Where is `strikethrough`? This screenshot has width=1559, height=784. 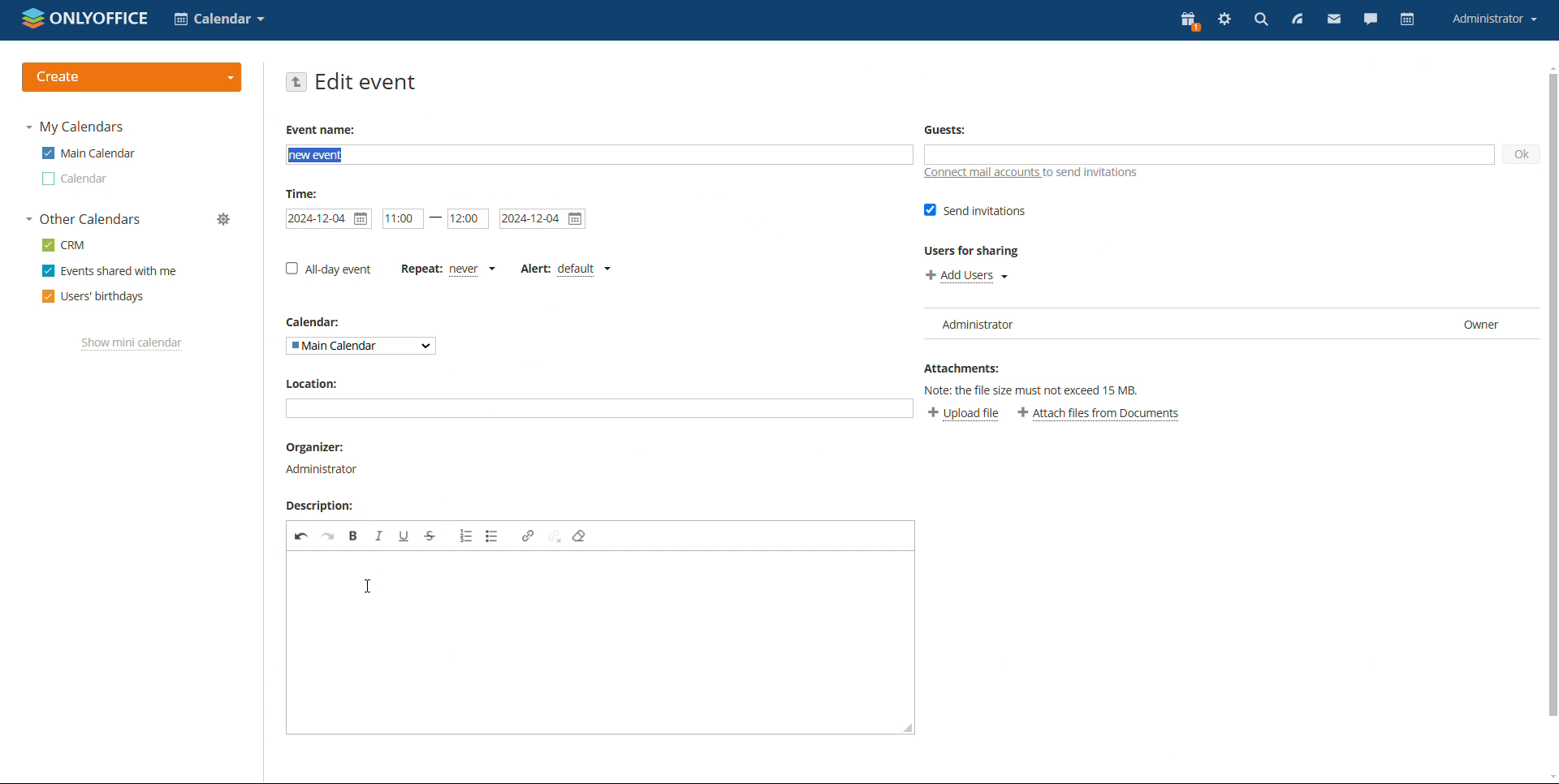
strikethrough is located at coordinates (430, 535).